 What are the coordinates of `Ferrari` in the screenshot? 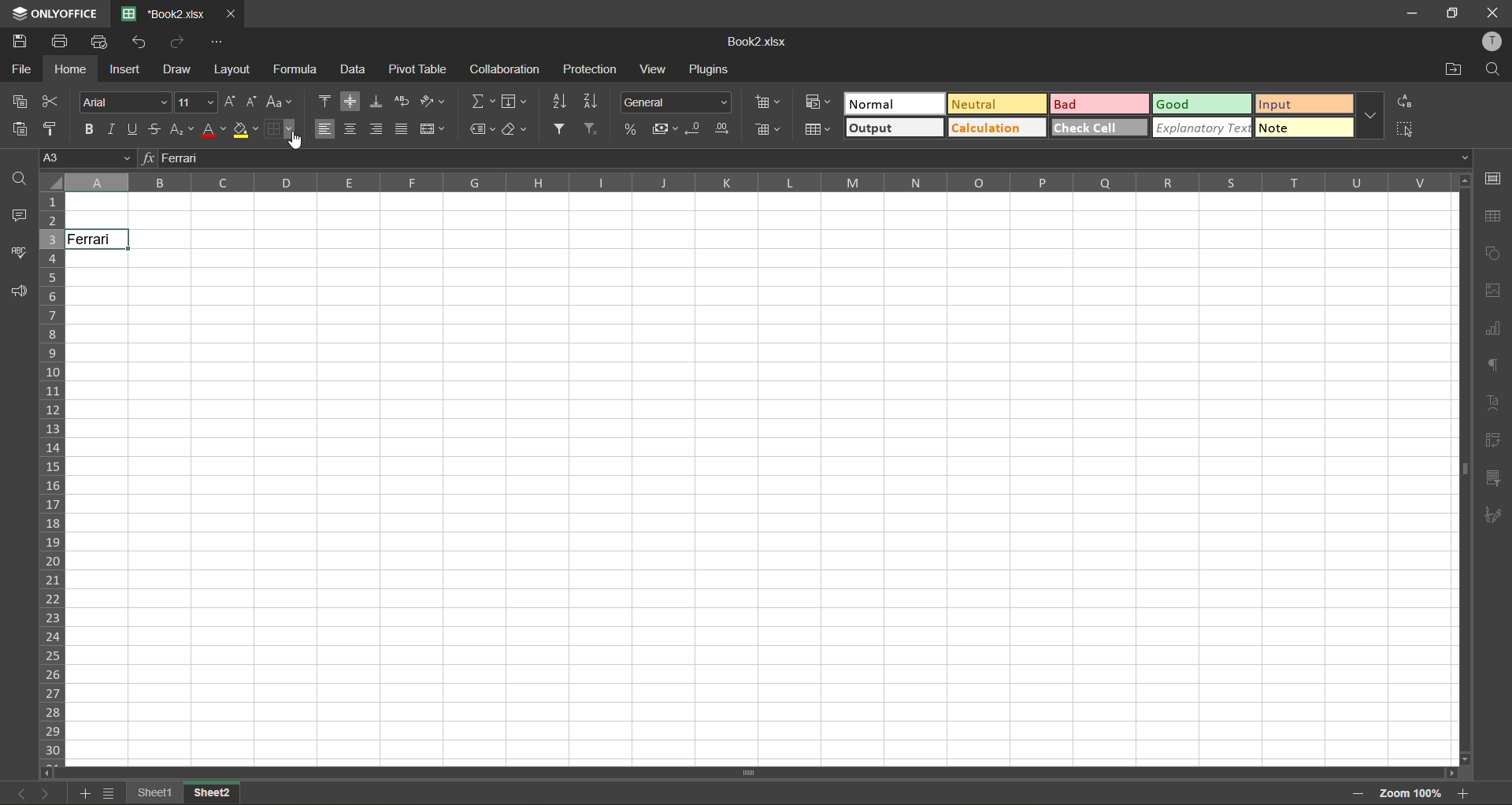 It's located at (98, 239).